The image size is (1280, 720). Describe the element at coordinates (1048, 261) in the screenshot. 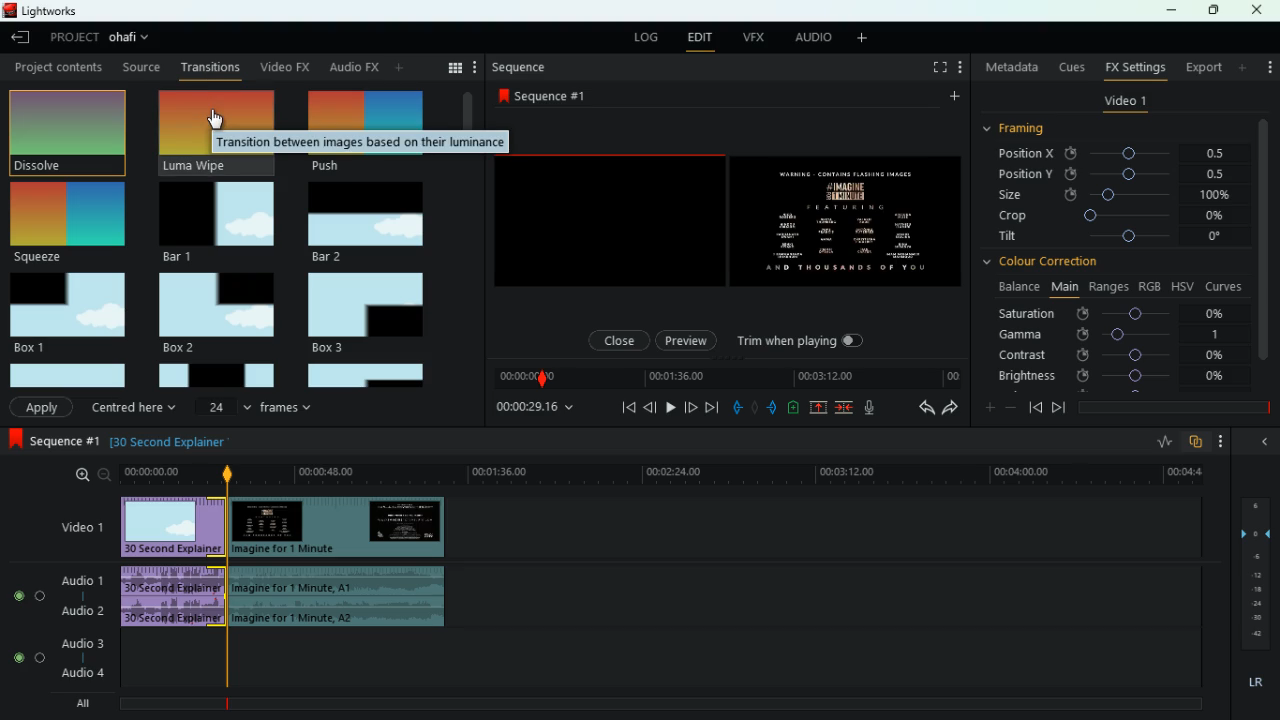

I see `colour correction` at that location.